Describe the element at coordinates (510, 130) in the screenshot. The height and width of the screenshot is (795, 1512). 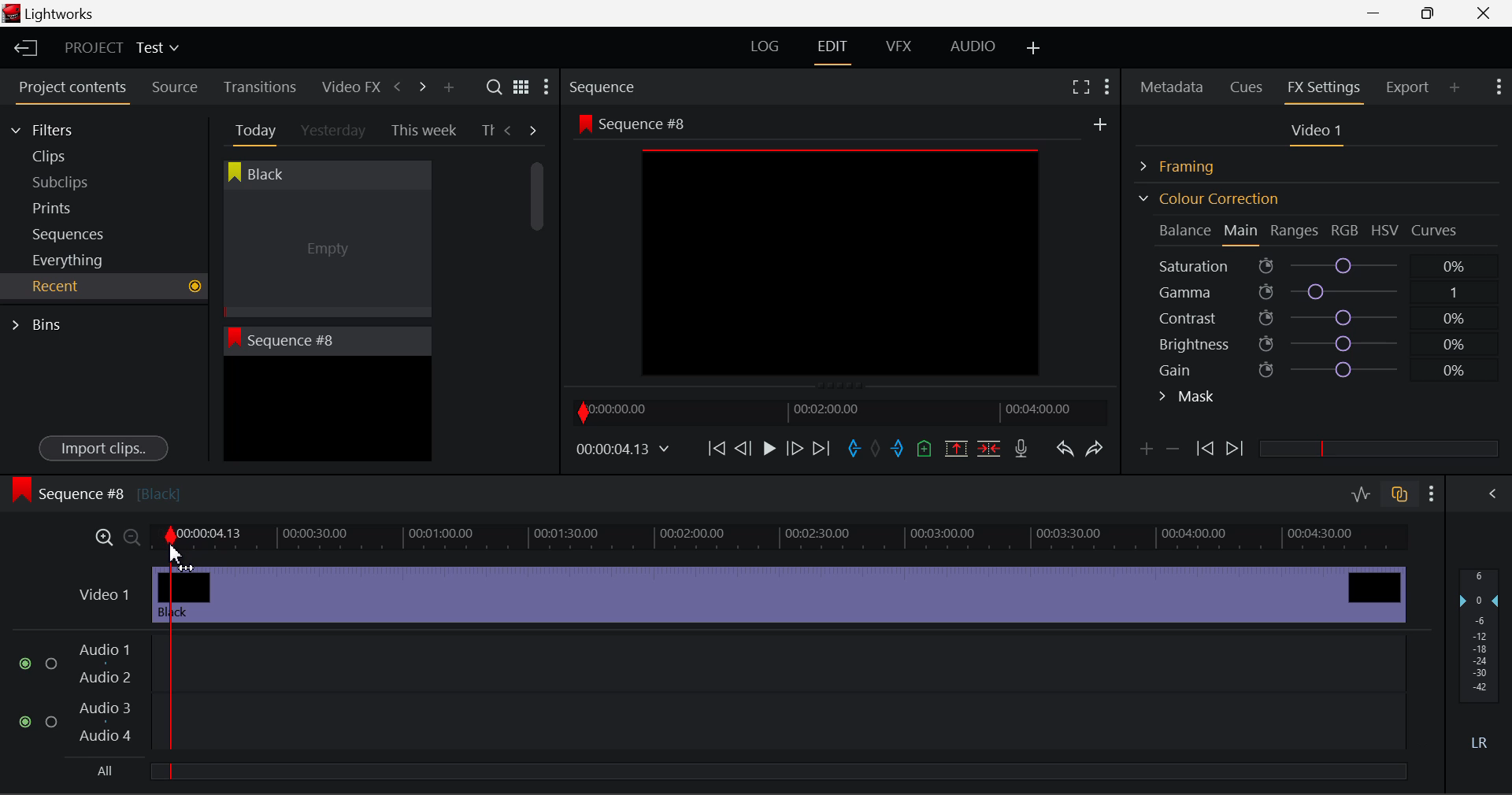
I see `Previous Tab` at that location.